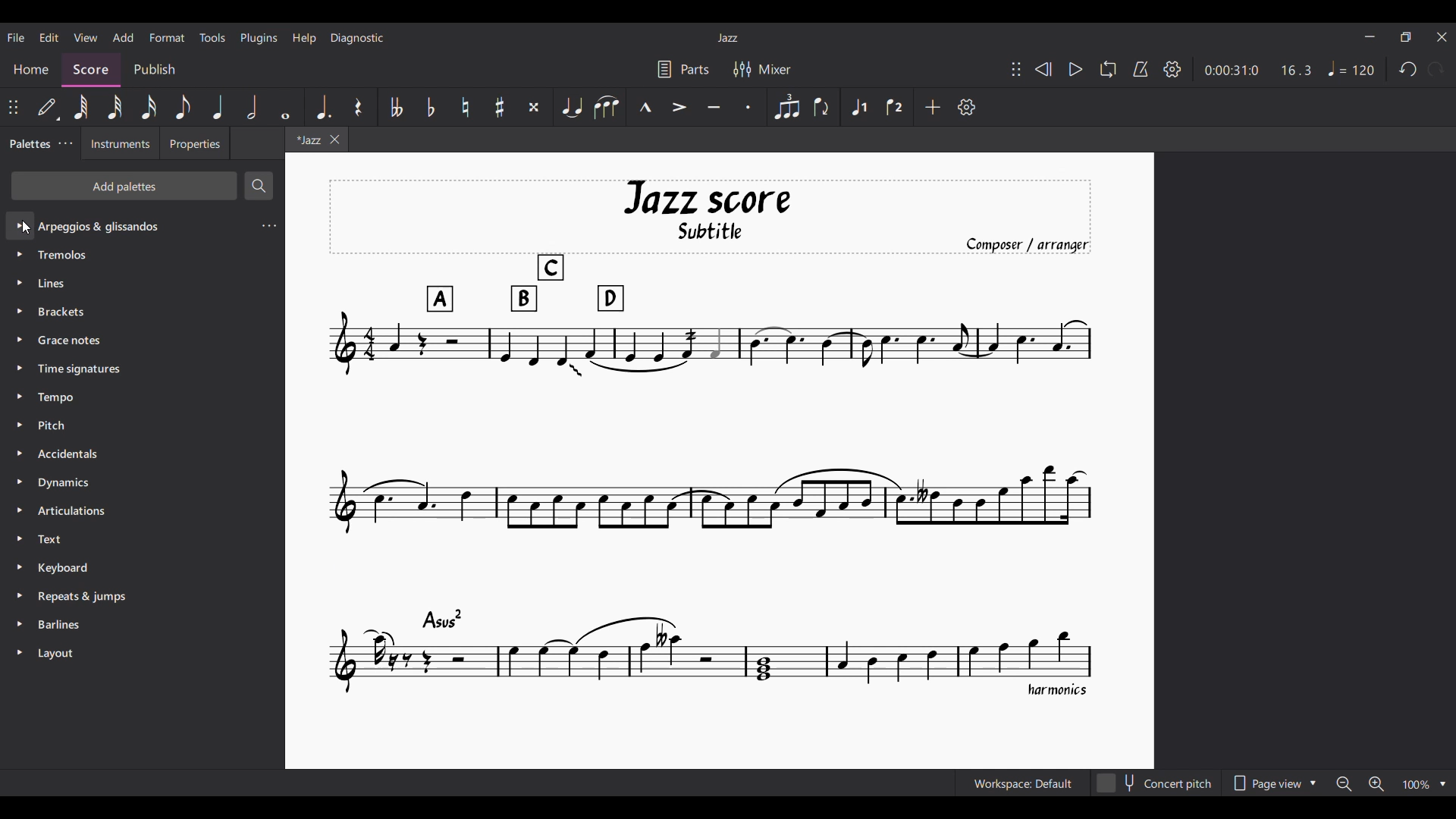 The width and height of the screenshot is (1456, 819). I want to click on Edit menu, so click(49, 37).